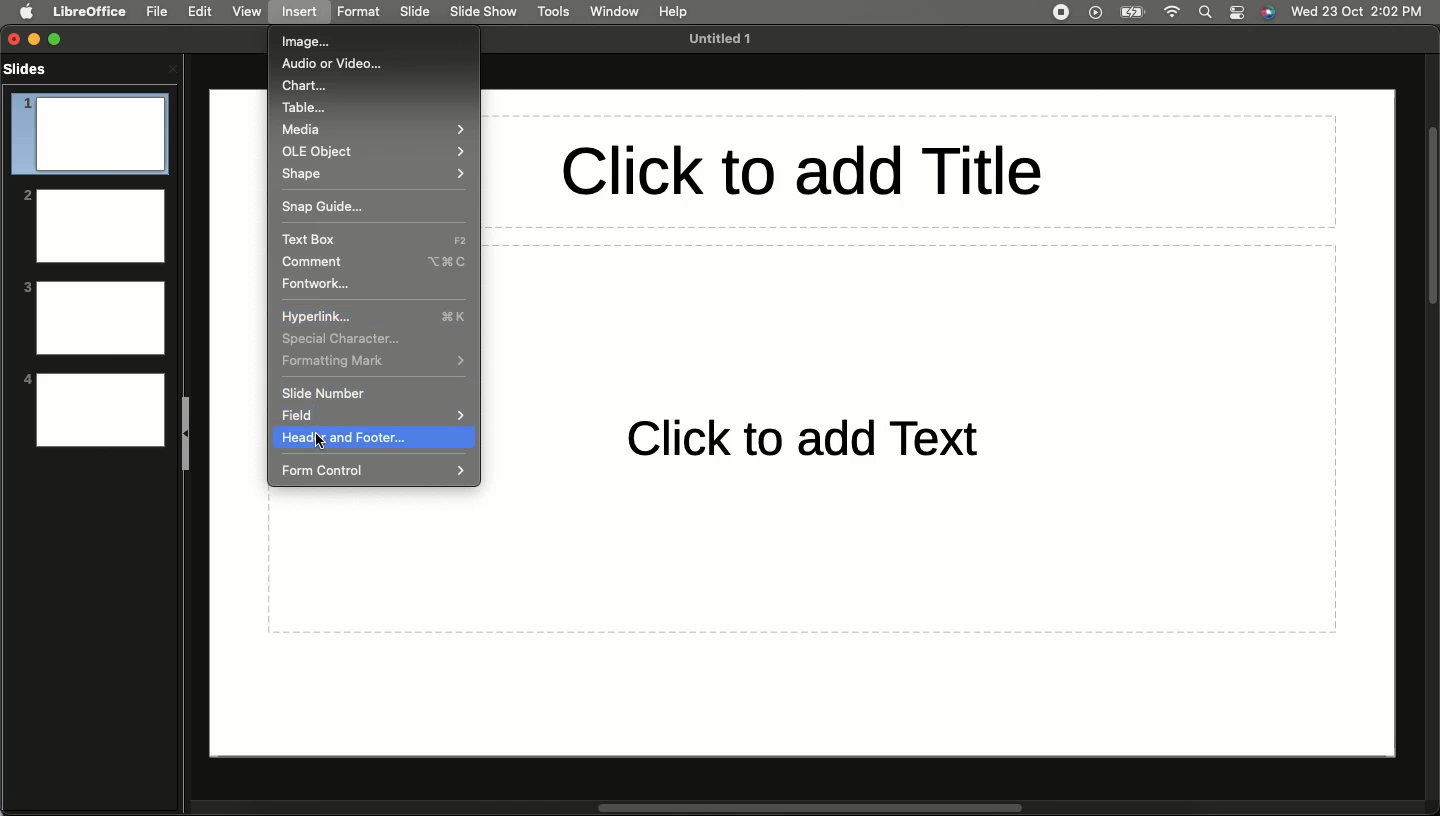  I want to click on Video player, so click(1094, 14).